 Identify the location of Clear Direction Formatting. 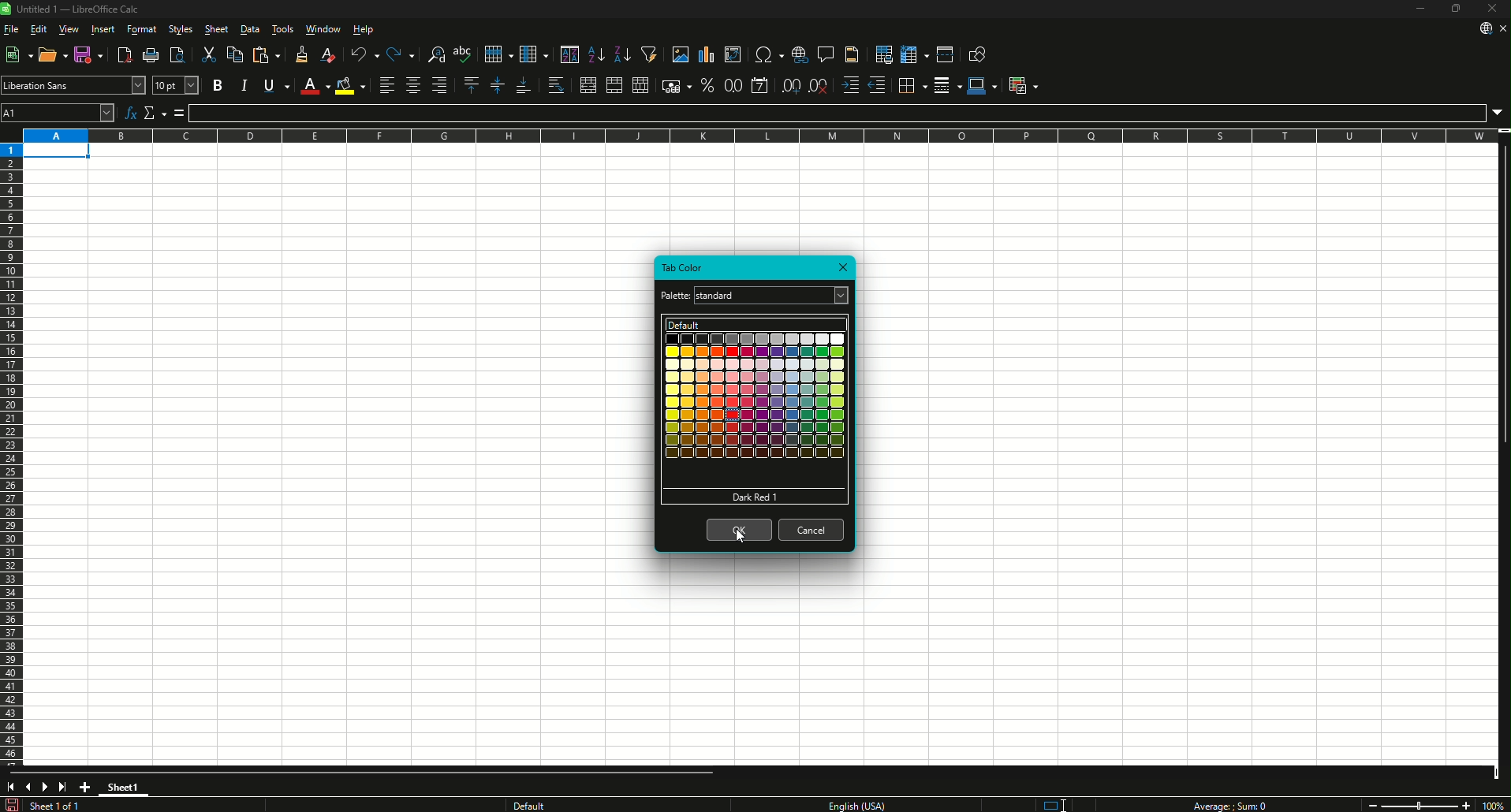
(329, 54).